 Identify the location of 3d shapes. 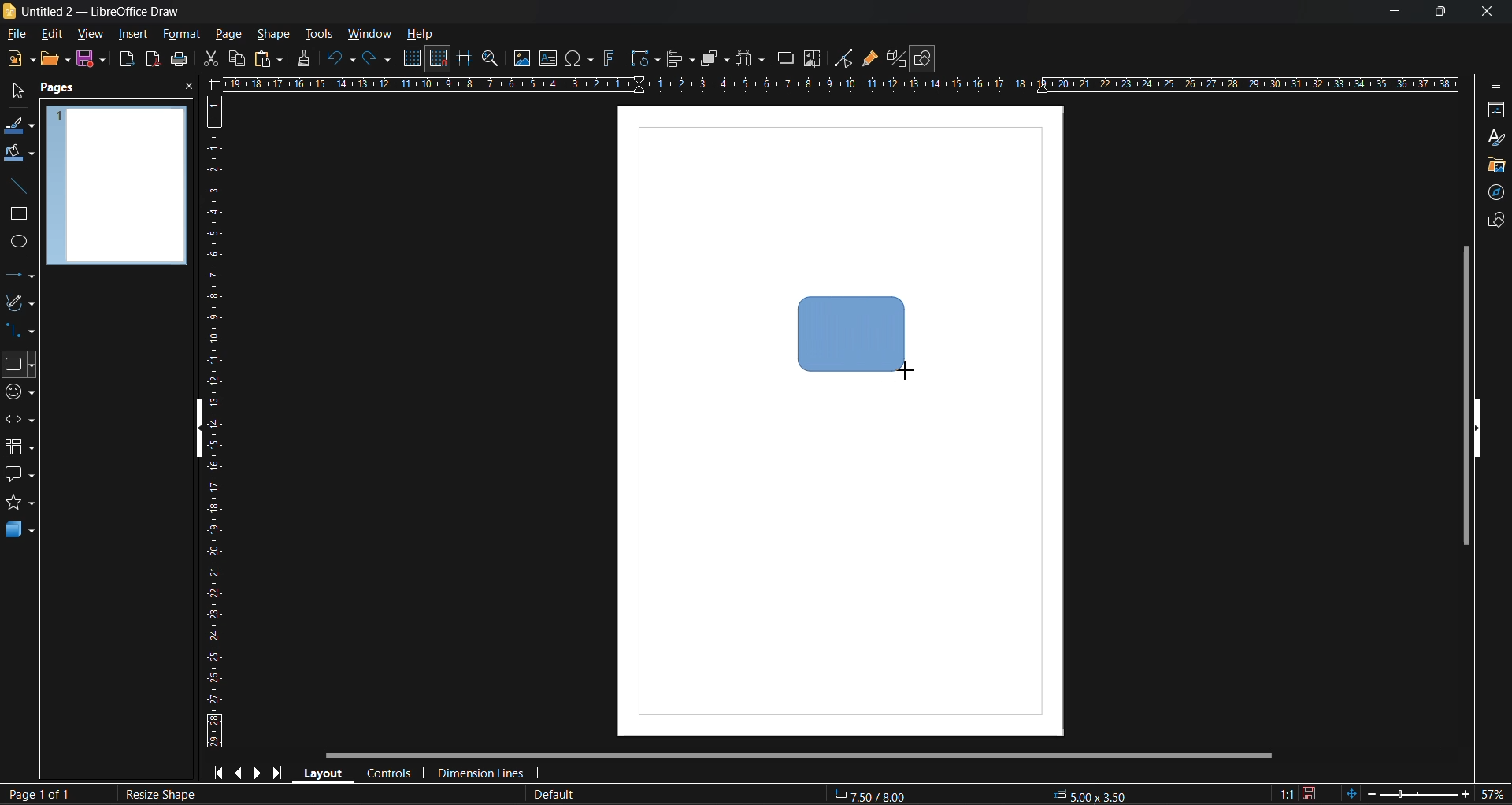
(20, 529).